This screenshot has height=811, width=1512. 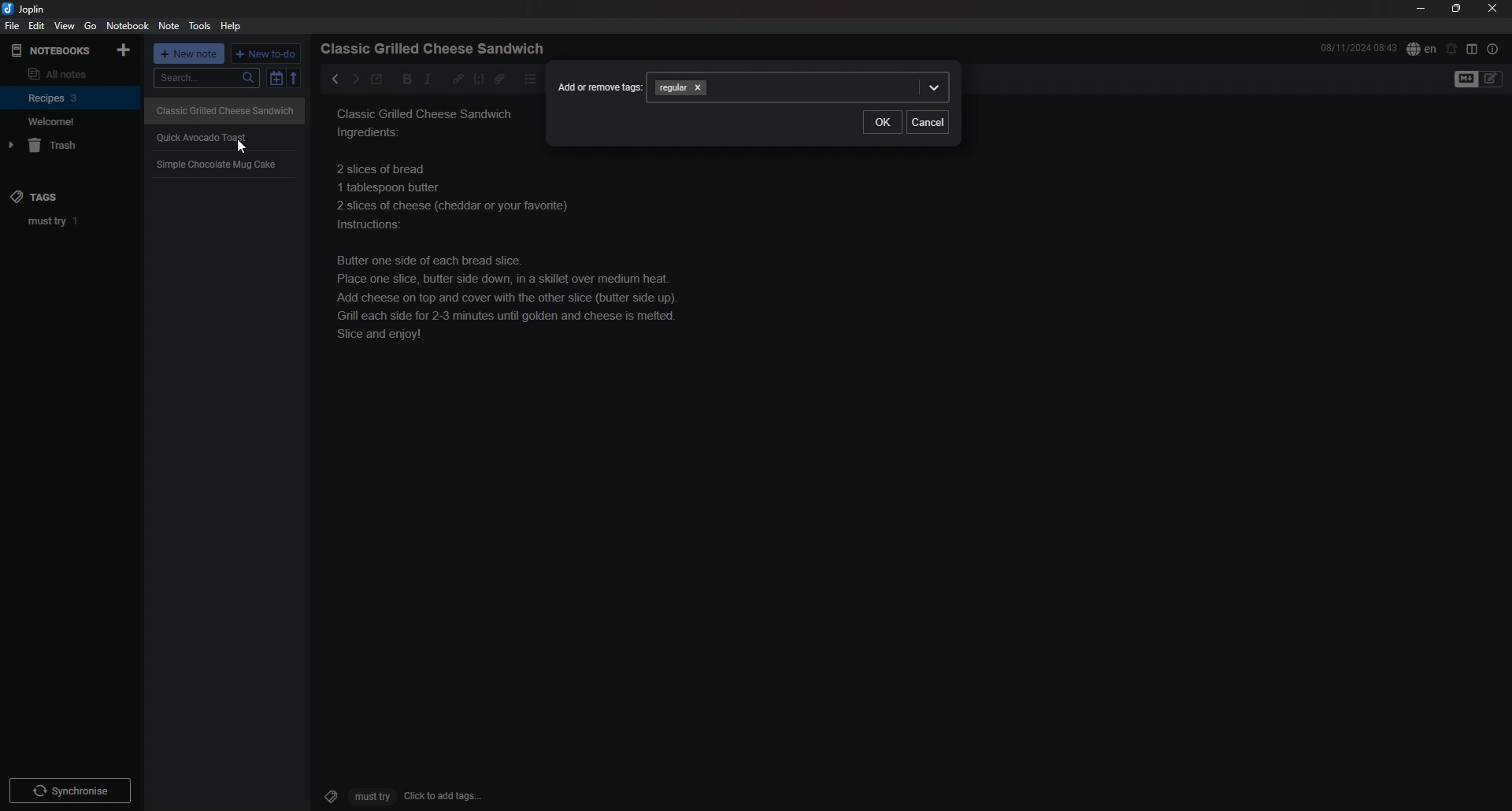 What do you see at coordinates (499, 79) in the screenshot?
I see `attachment` at bounding box center [499, 79].